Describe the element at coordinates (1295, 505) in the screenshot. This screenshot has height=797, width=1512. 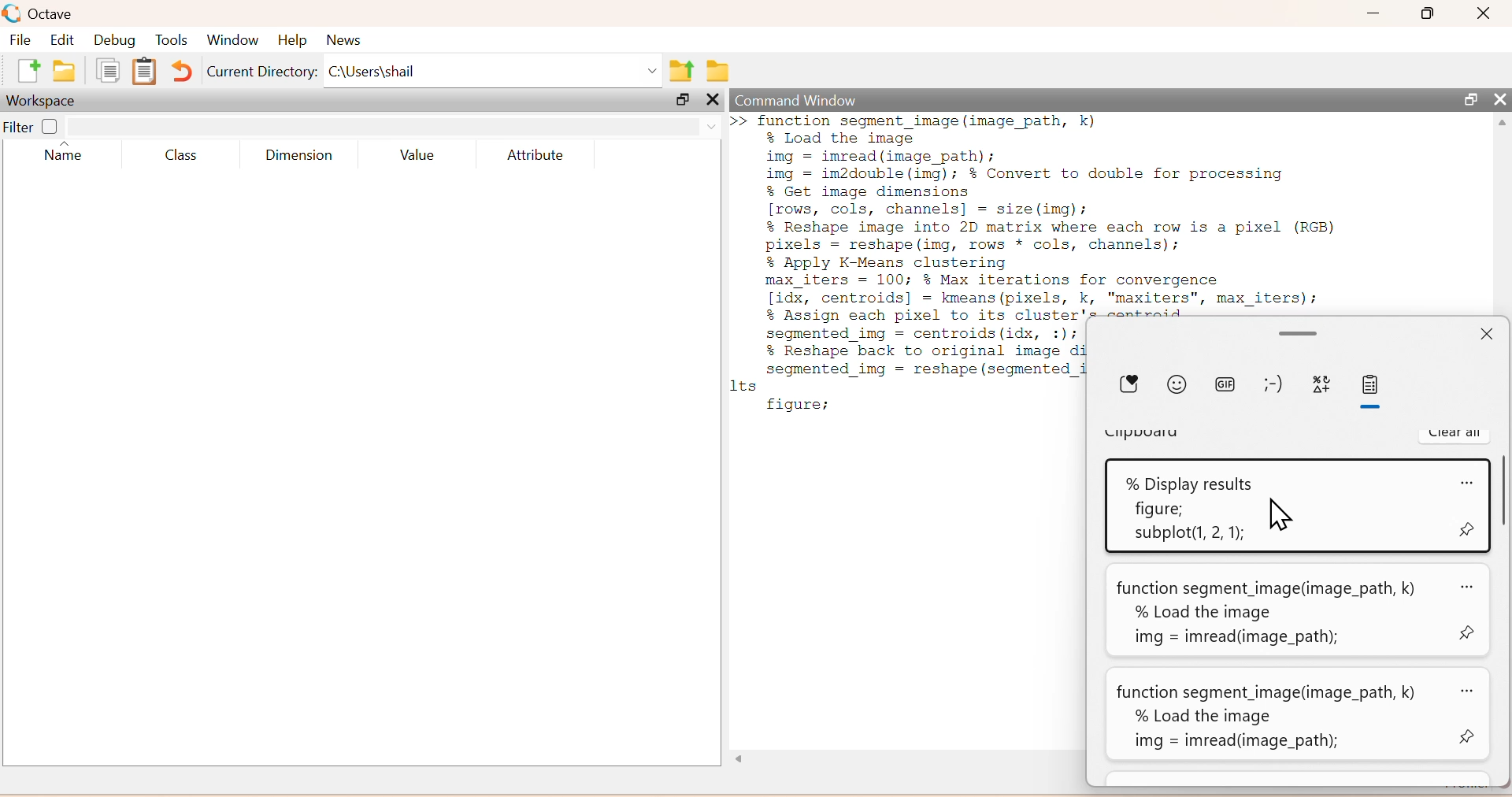
I see `% Display results <0figure;subplot(1, 2, 1); ` at that location.